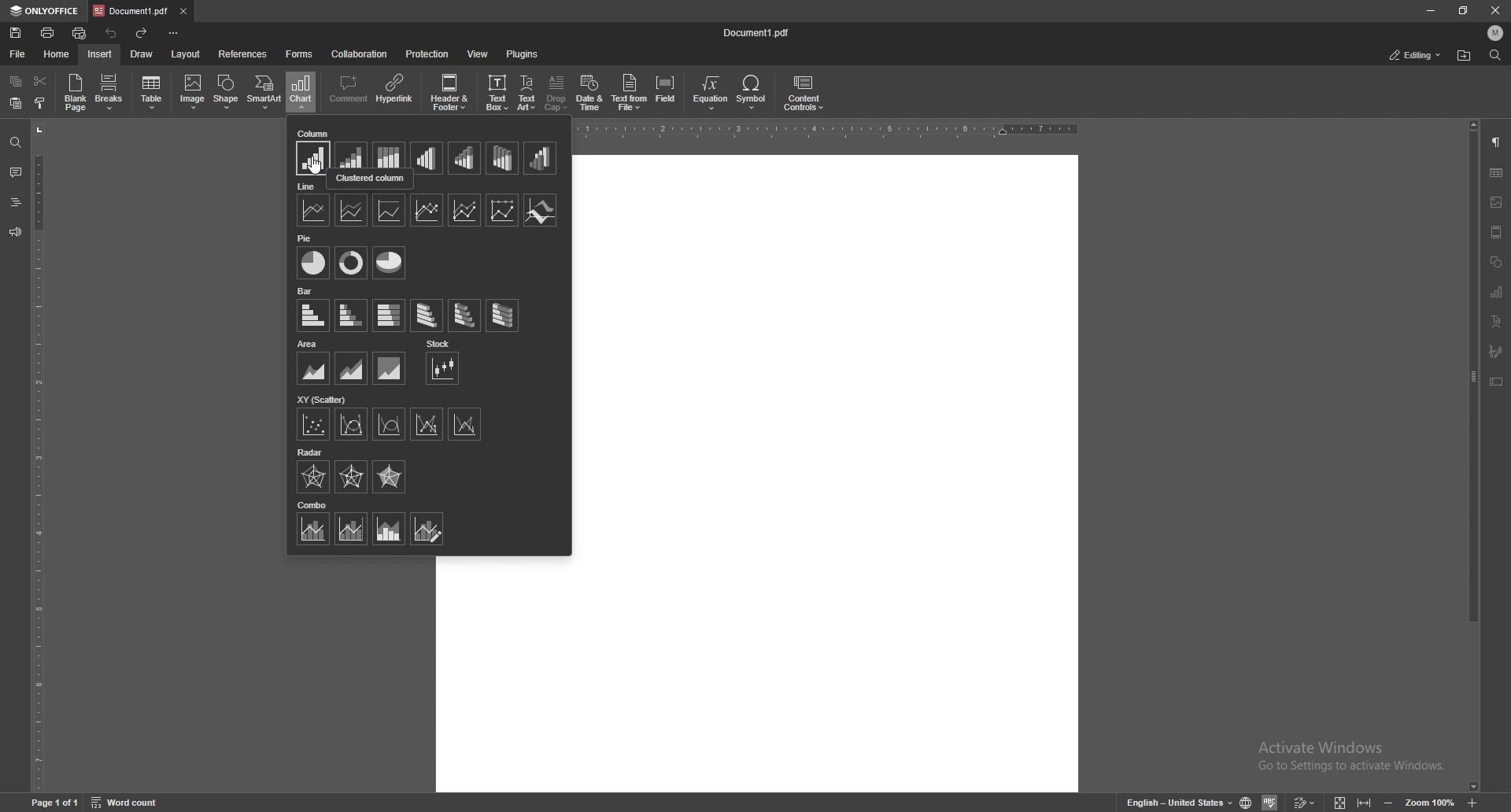 The height and width of the screenshot is (812, 1511). What do you see at coordinates (443, 369) in the screenshot?
I see `stock` at bounding box center [443, 369].